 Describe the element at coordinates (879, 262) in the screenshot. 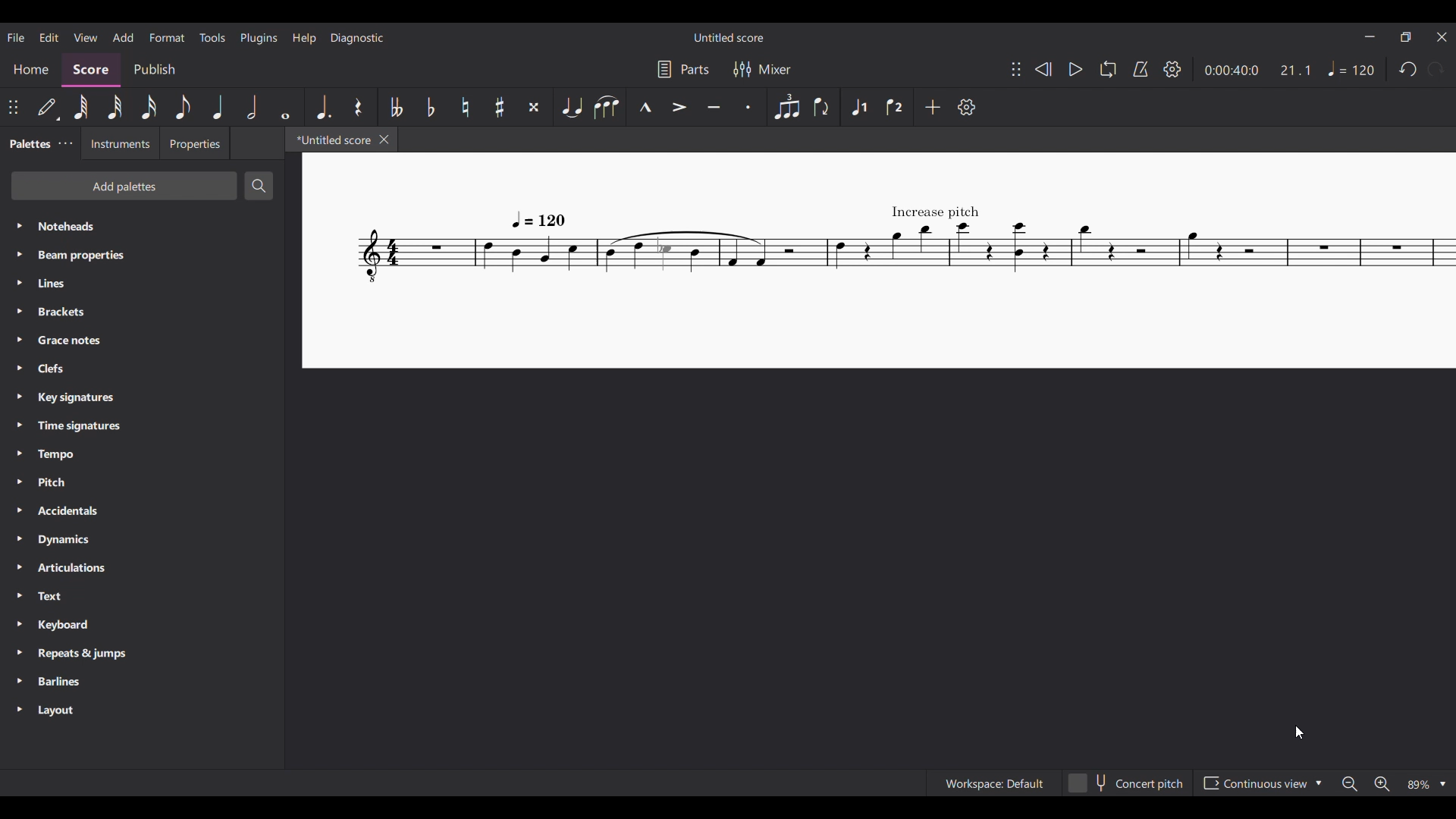

I see `Page view changed to horizontal, landscape` at that location.